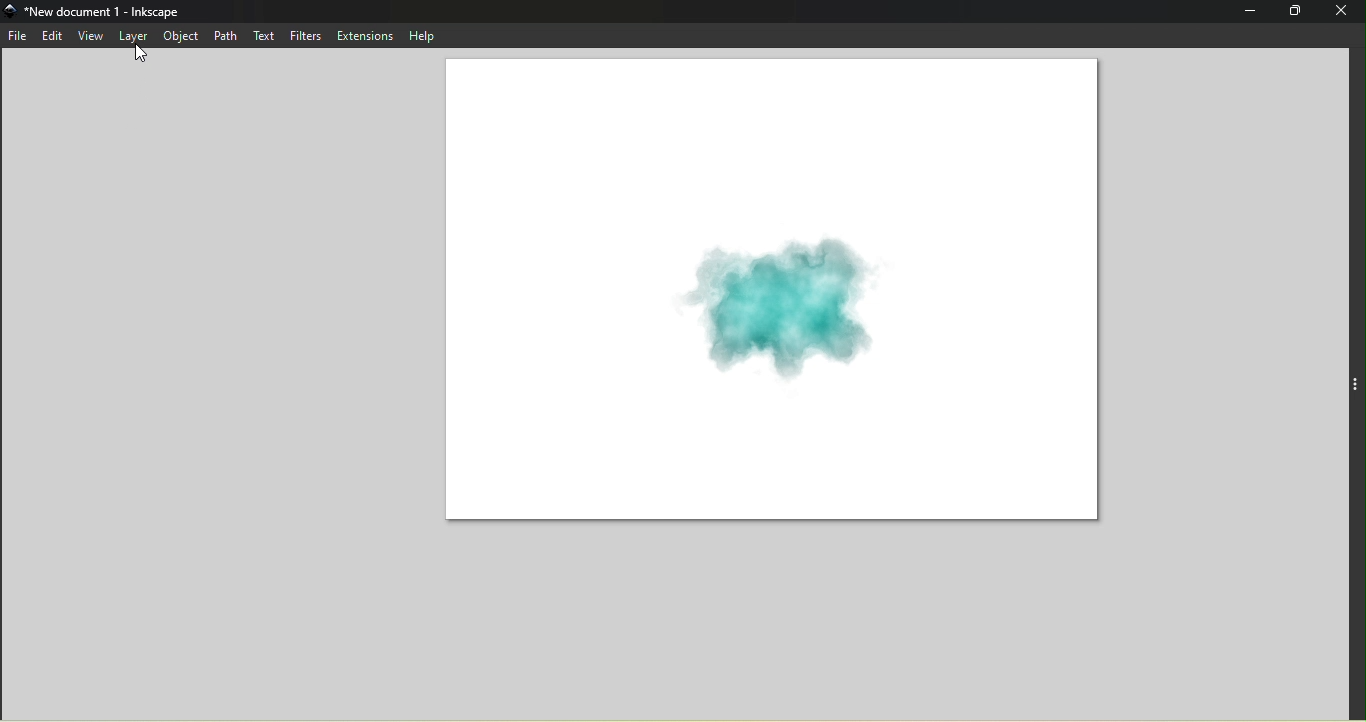 This screenshot has width=1366, height=722. Describe the element at coordinates (1245, 12) in the screenshot. I see `Minimize` at that location.